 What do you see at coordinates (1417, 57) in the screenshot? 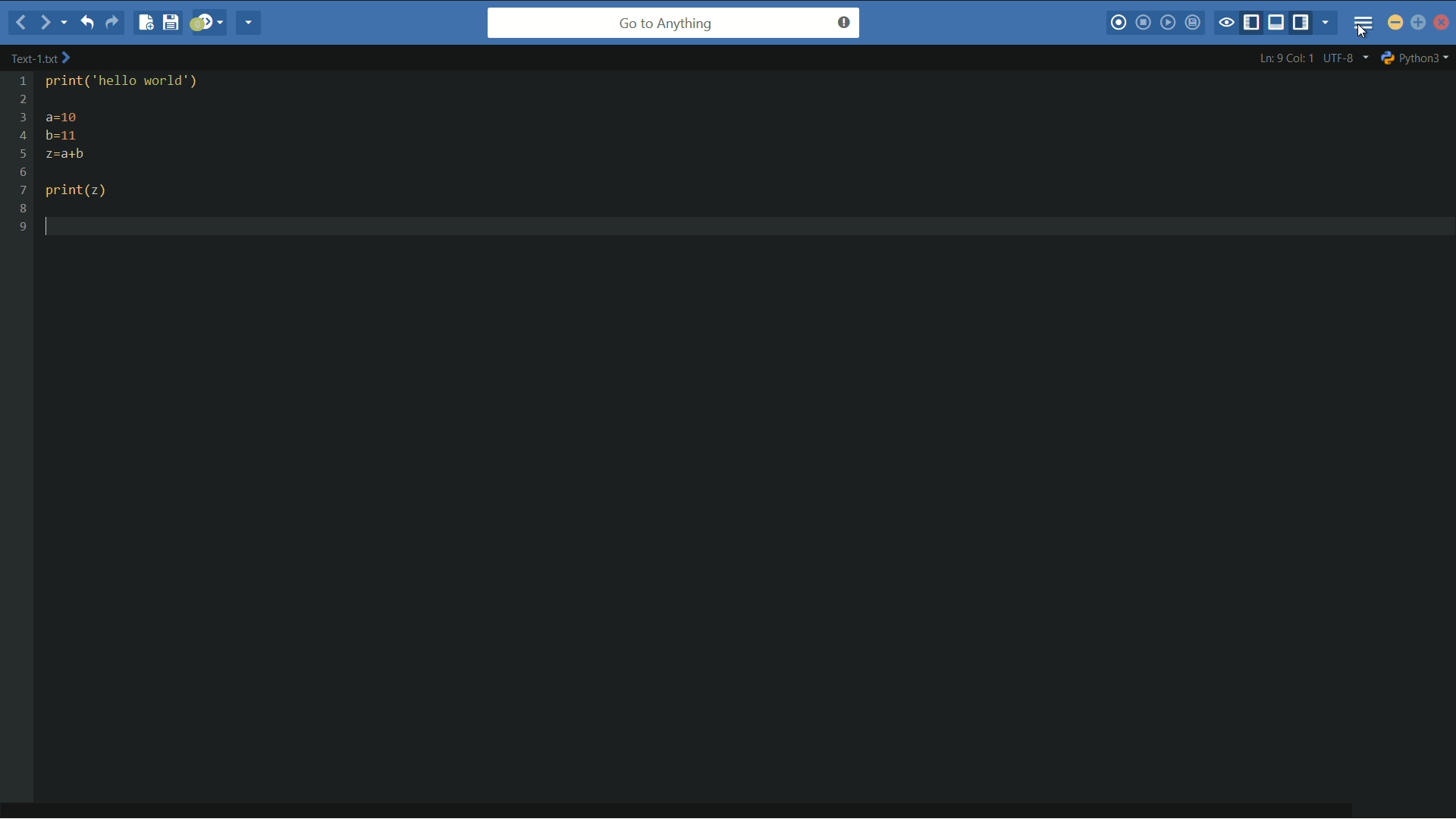
I see `python3` at bounding box center [1417, 57].